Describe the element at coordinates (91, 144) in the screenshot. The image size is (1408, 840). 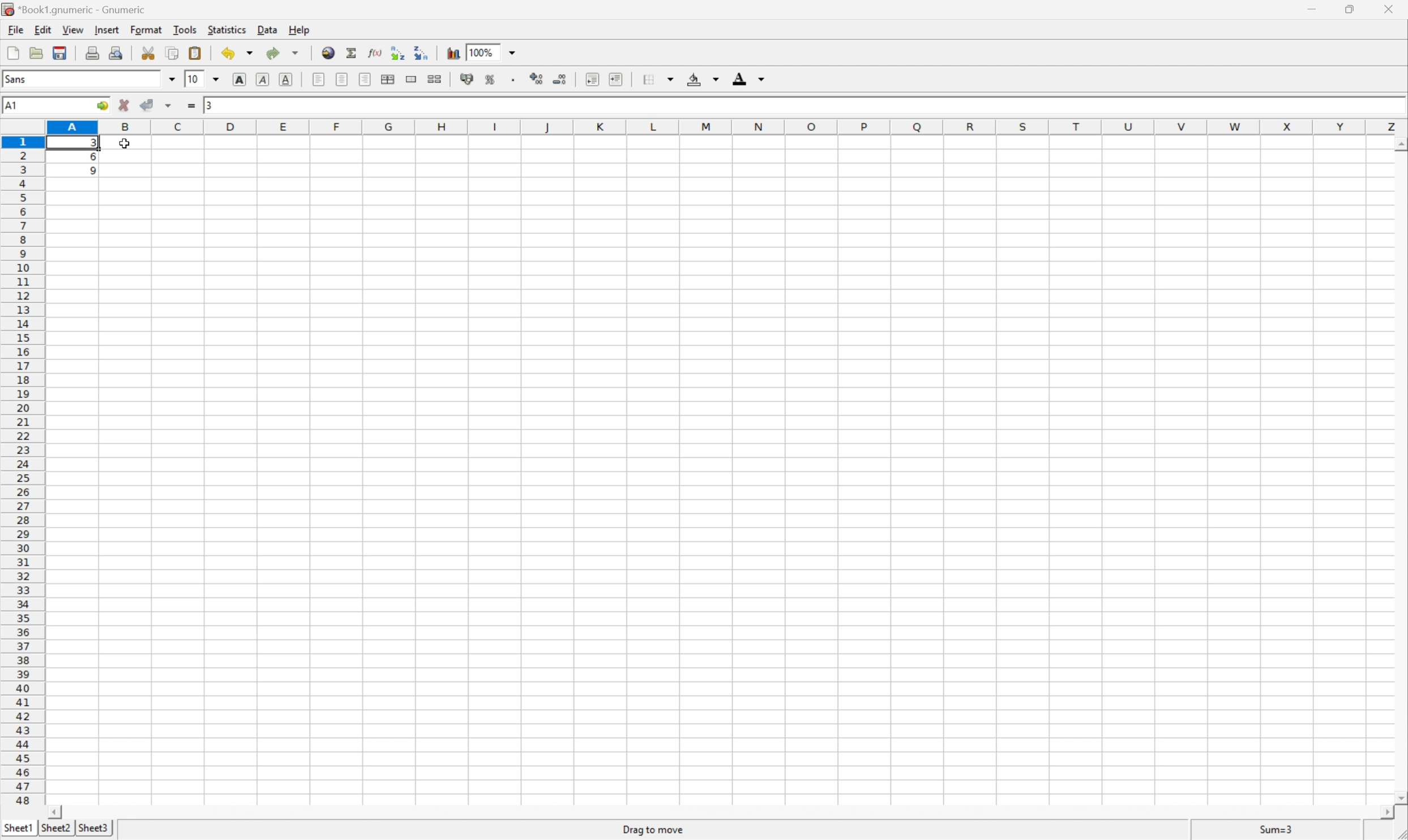
I see `3` at that location.